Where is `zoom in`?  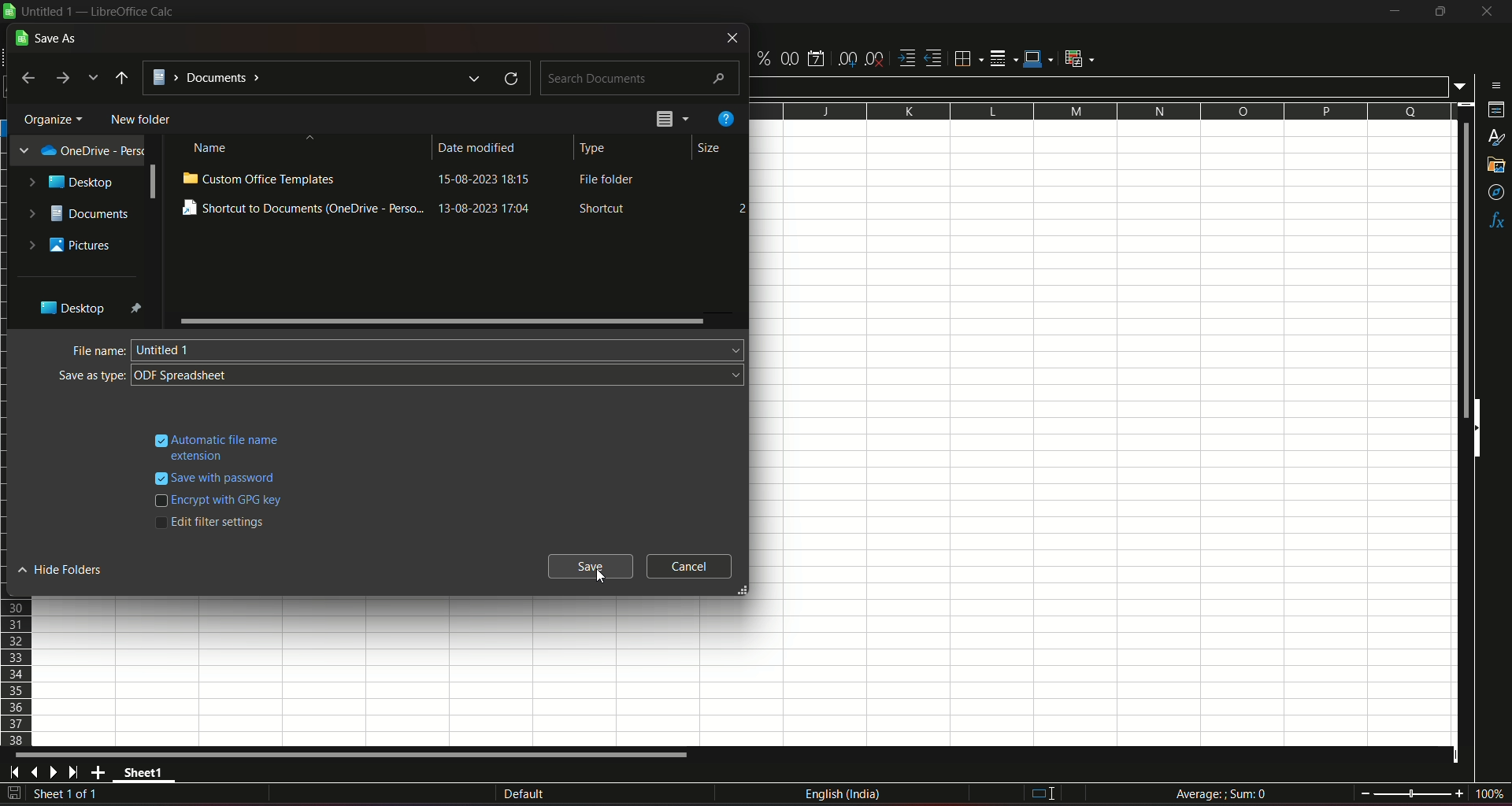 zoom in is located at coordinates (1458, 793).